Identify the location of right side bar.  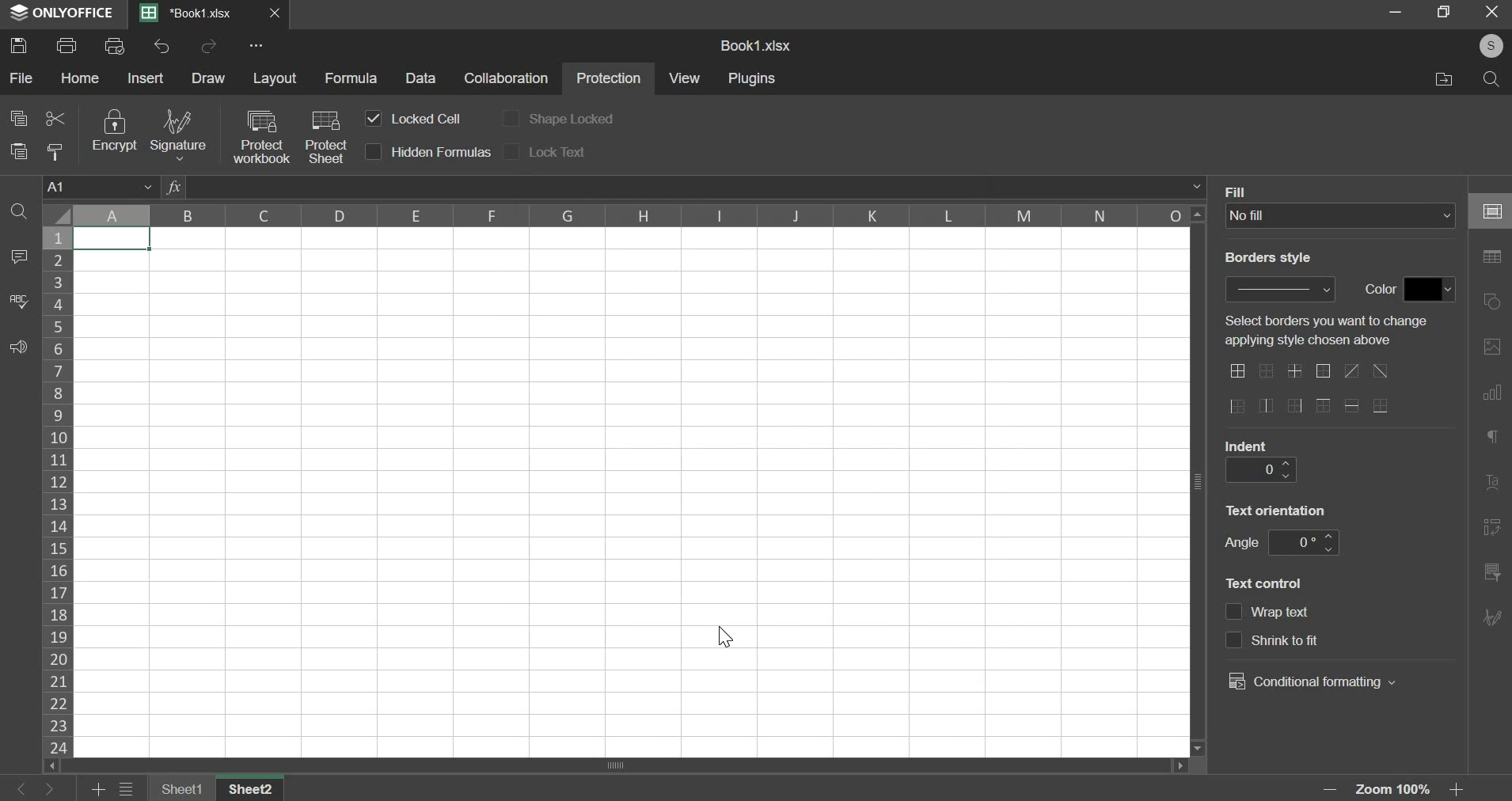
(1492, 526).